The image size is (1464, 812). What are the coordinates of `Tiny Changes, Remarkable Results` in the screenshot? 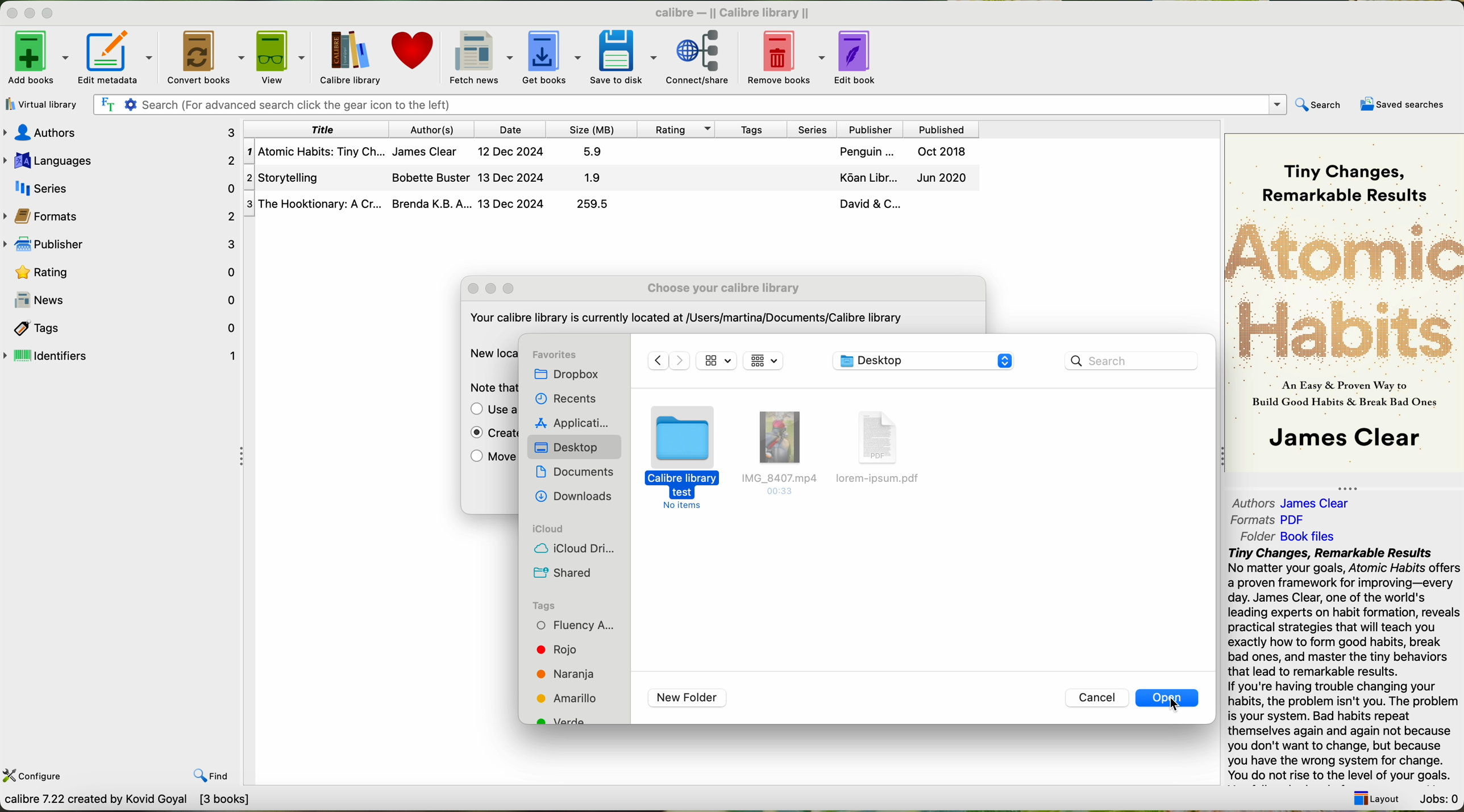 It's located at (1344, 170).